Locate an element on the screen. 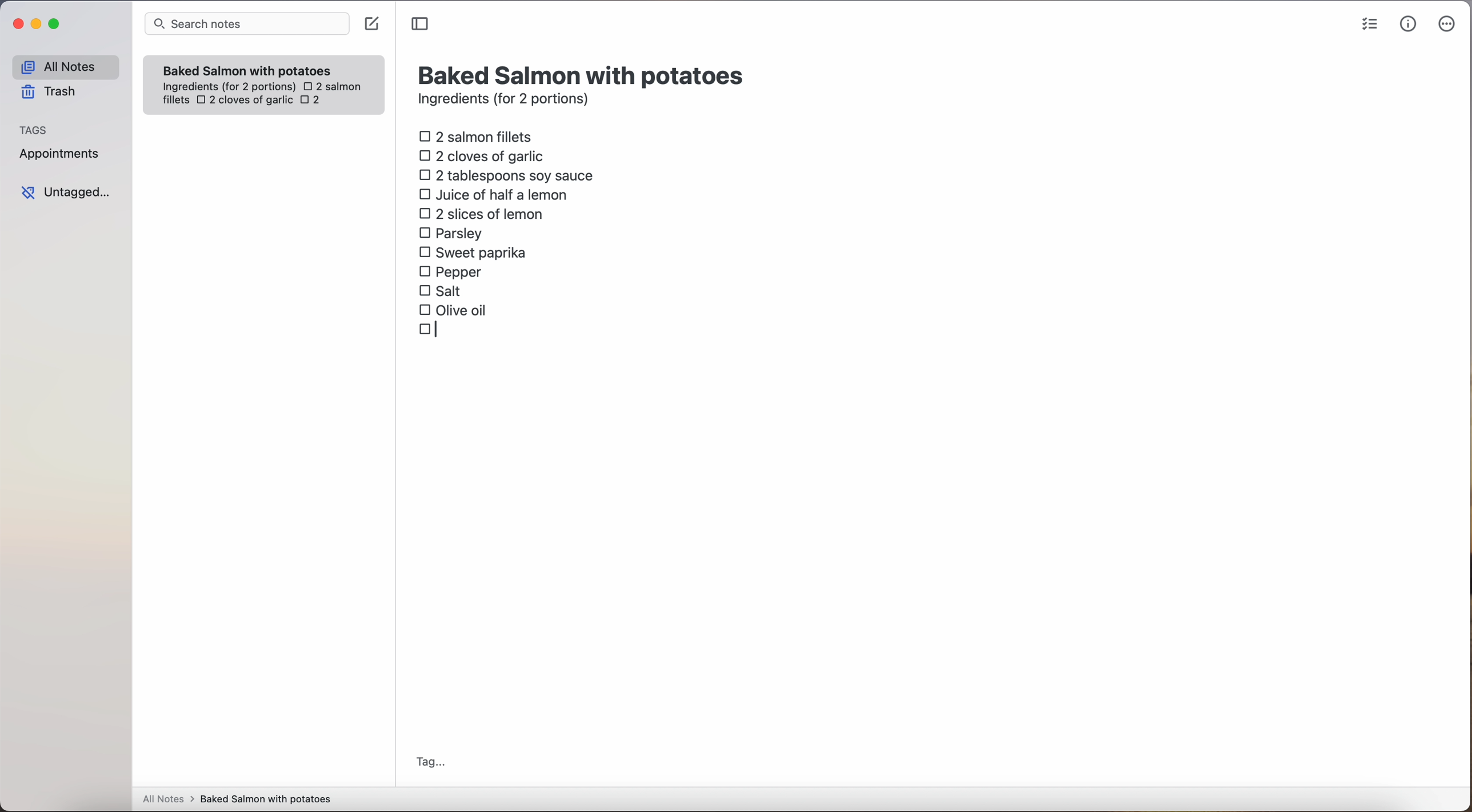  tags is located at coordinates (34, 129).